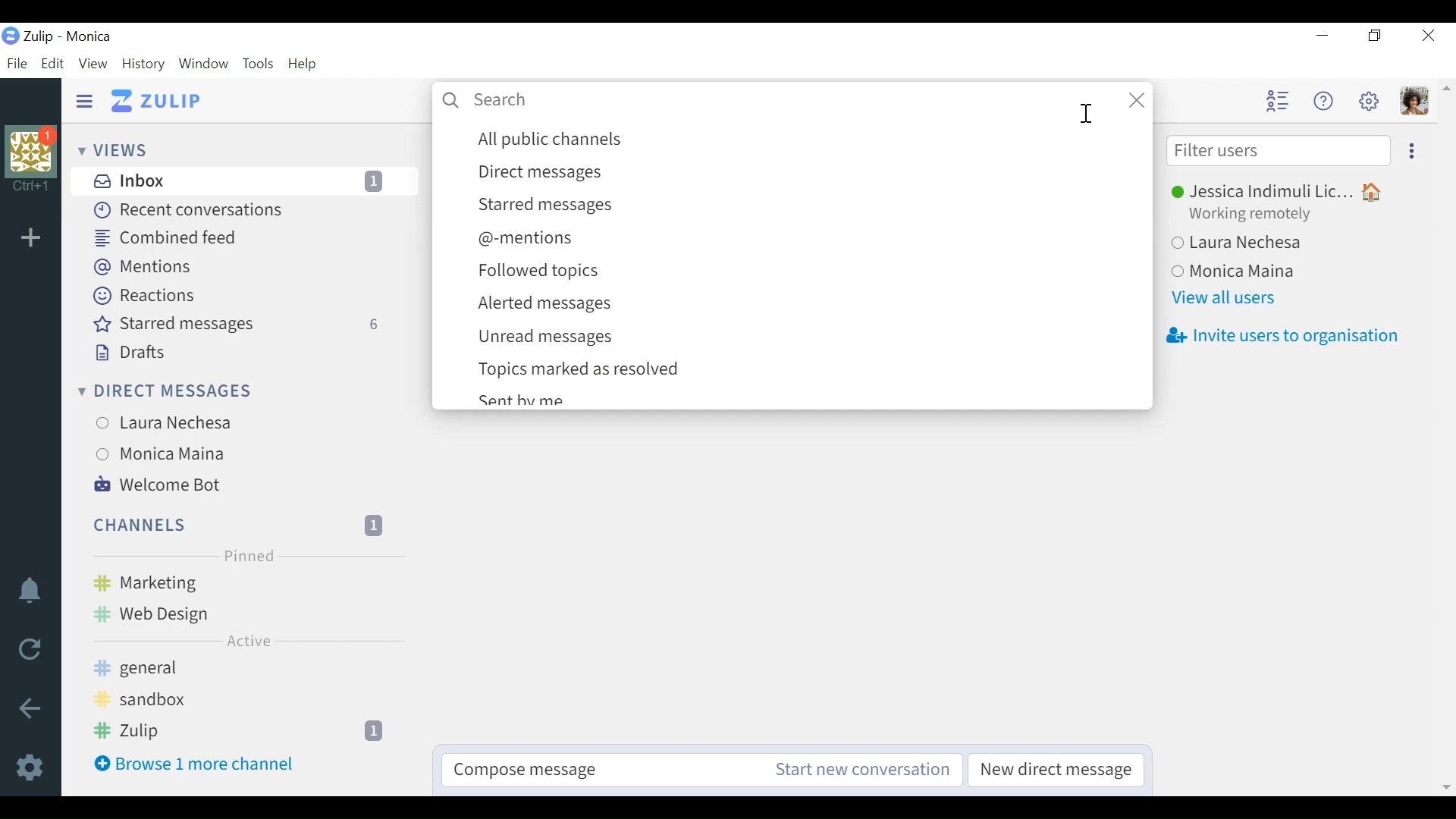 Image resolution: width=1456 pixels, height=819 pixels. What do you see at coordinates (163, 392) in the screenshot?
I see `Direct messages` at bounding box center [163, 392].